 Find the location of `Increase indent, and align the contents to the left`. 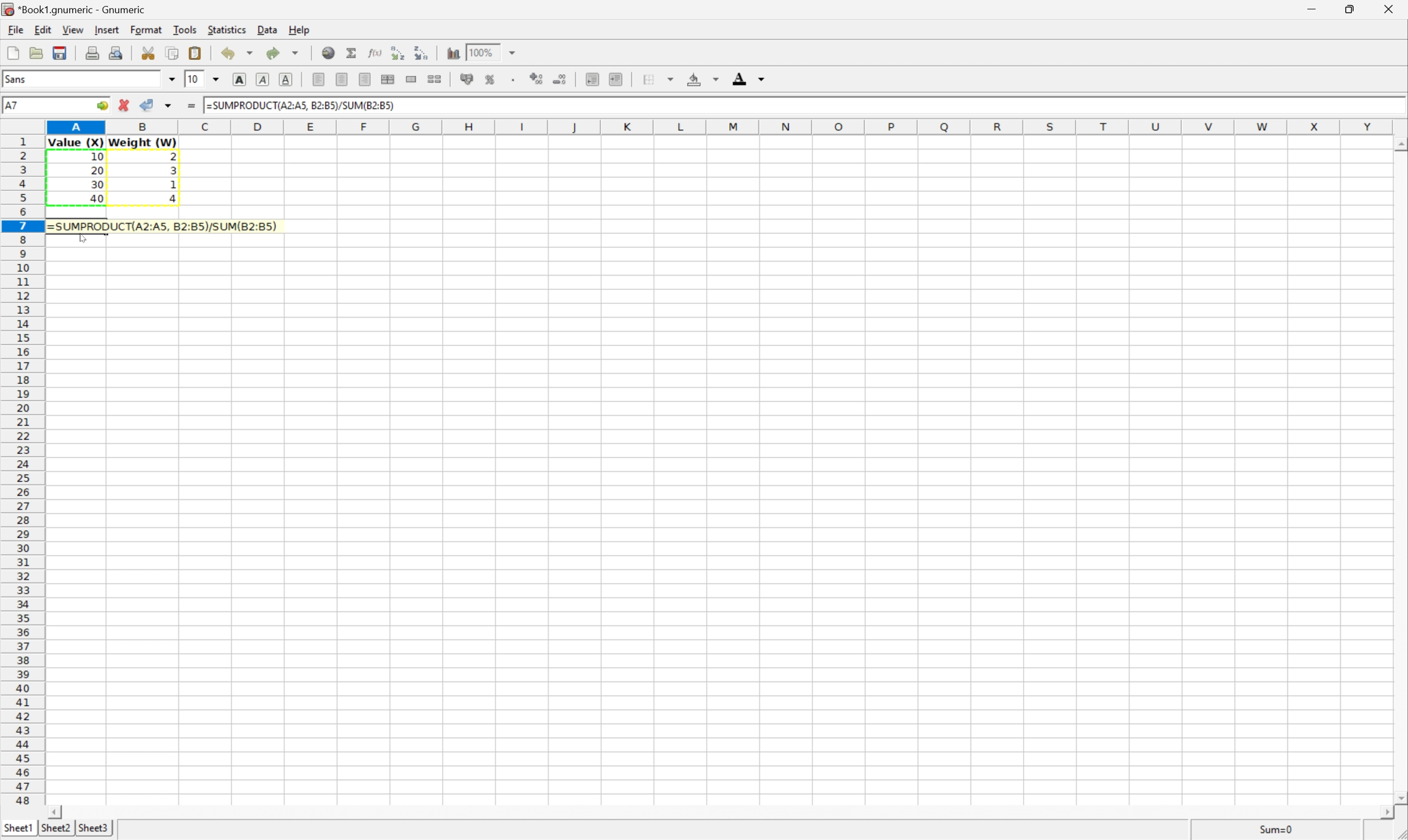

Increase indent, and align the contents to the left is located at coordinates (620, 78).